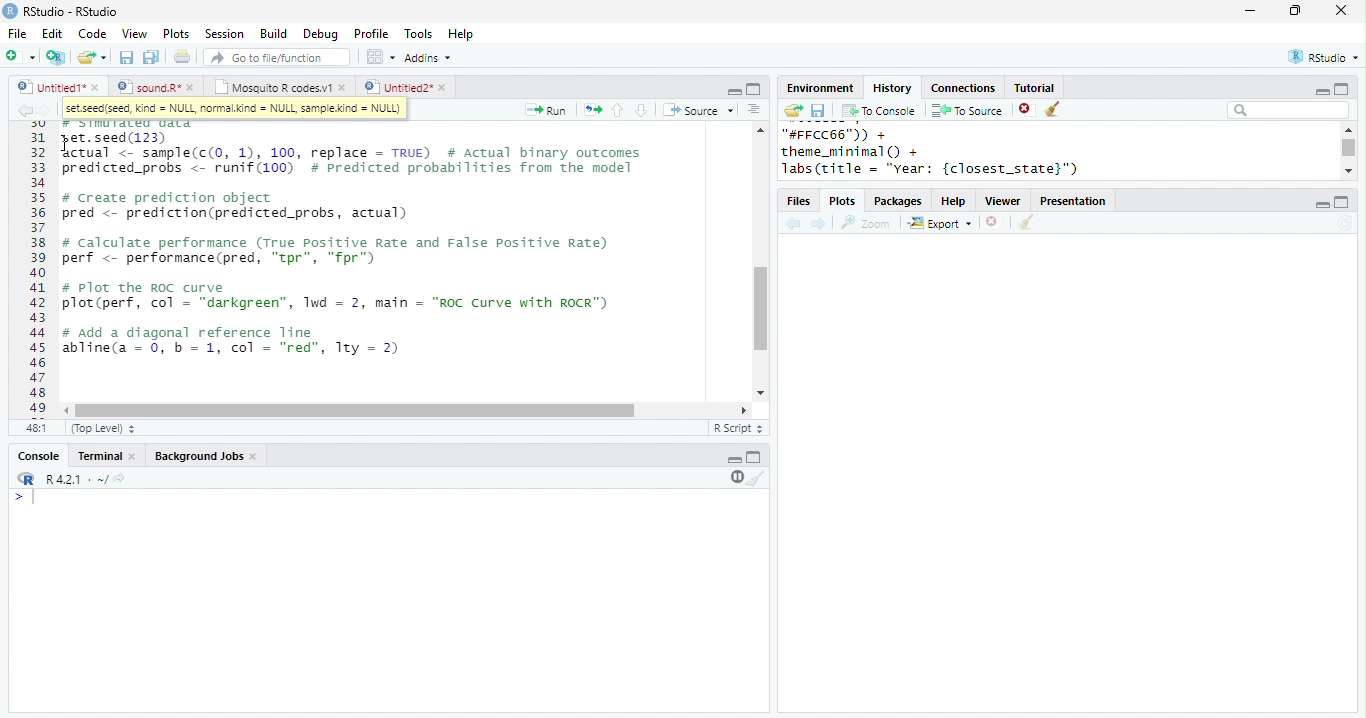 This screenshot has height=718, width=1366. Describe the element at coordinates (792, 110) in the screenshot. I see `open folder` at that location.